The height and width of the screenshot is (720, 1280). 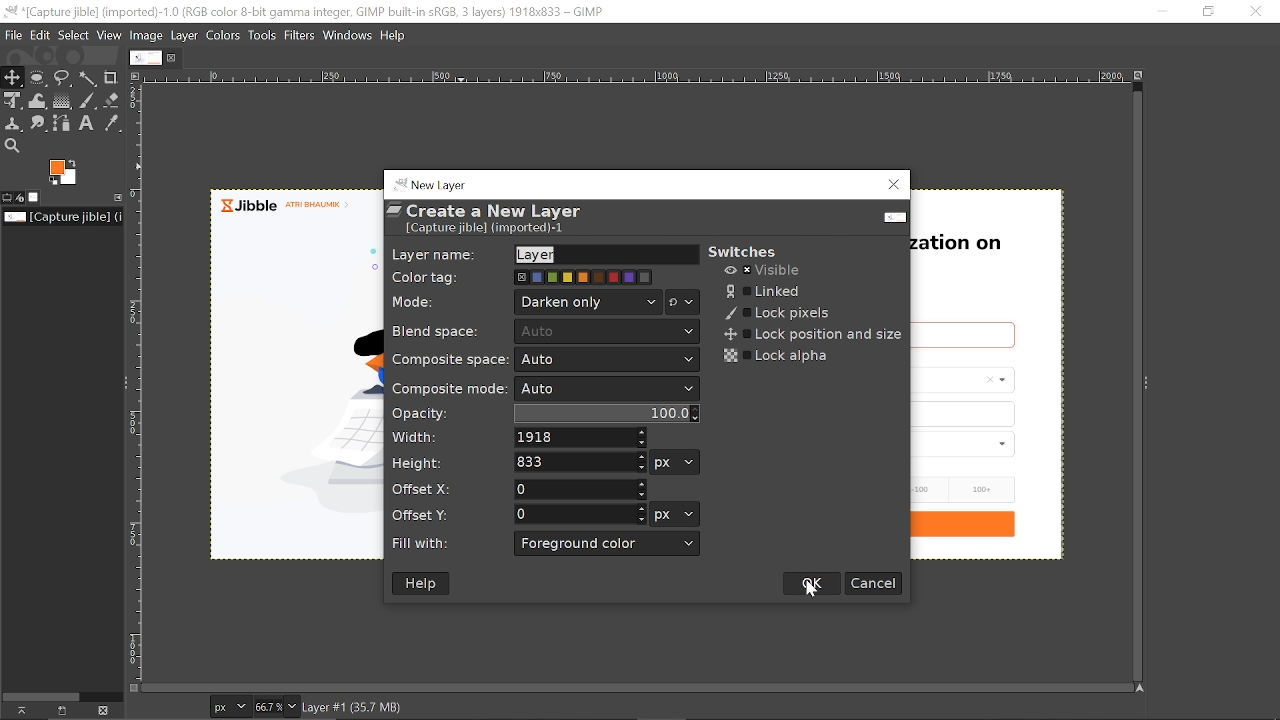 I want to click on Color picker tool, so click(x=111, y=124).